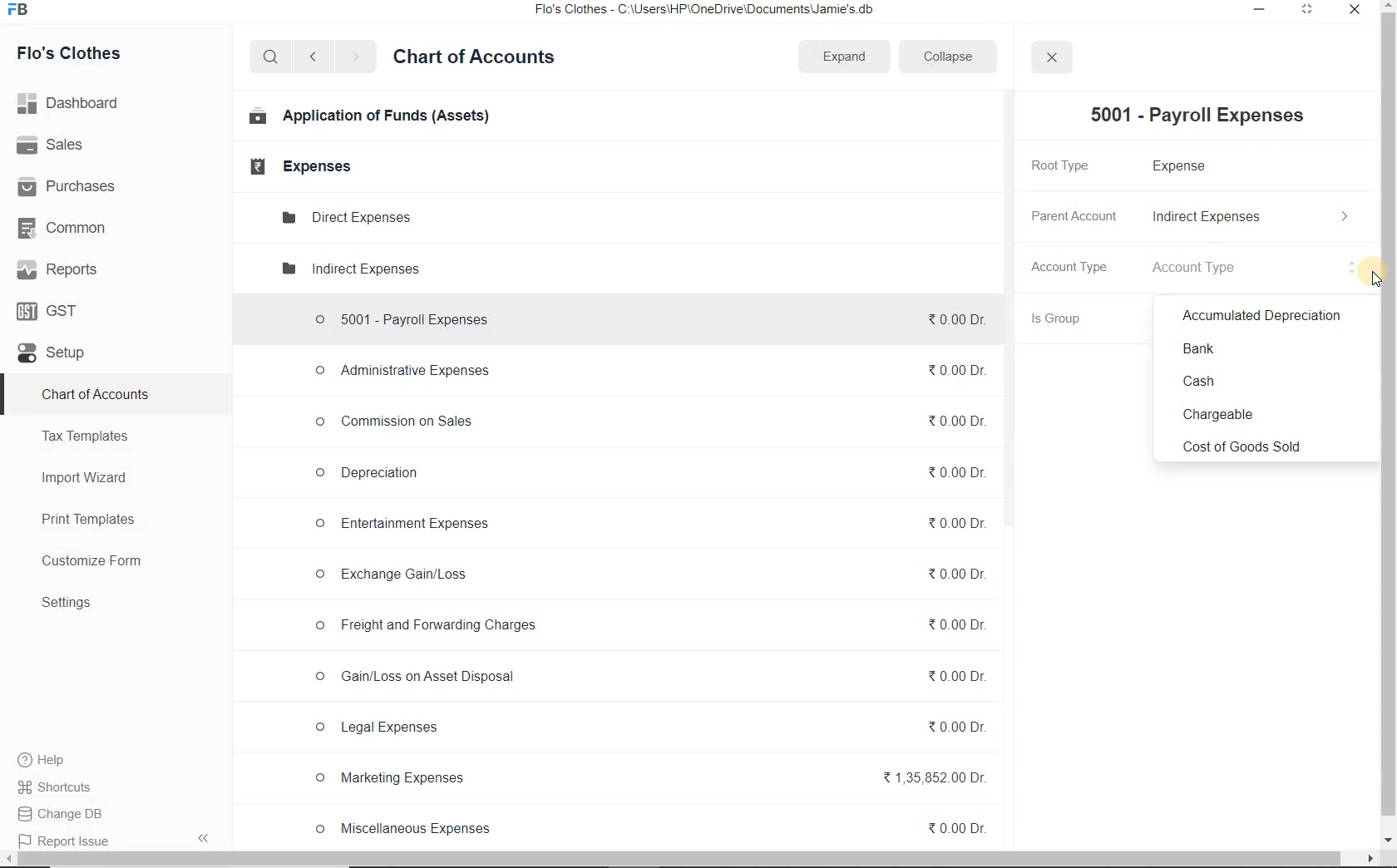 The image size is (1397, 868). What do you see at coordinates (86, 477) in the screenshot?
I see `Import Wizard` at bounding box center [86, 477].